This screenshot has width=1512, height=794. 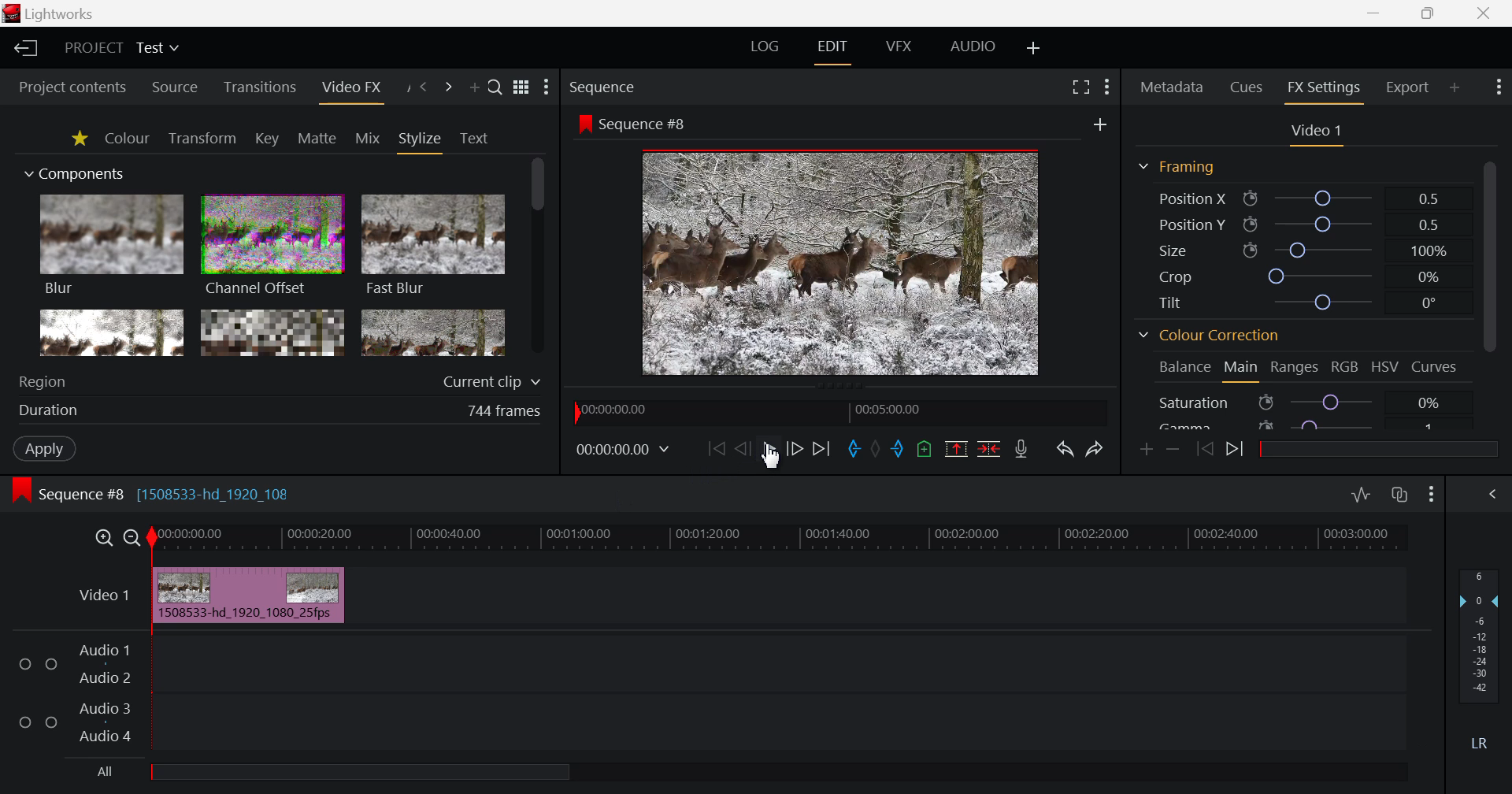 I want to click on Frame Time, so click(x=623, y=449).